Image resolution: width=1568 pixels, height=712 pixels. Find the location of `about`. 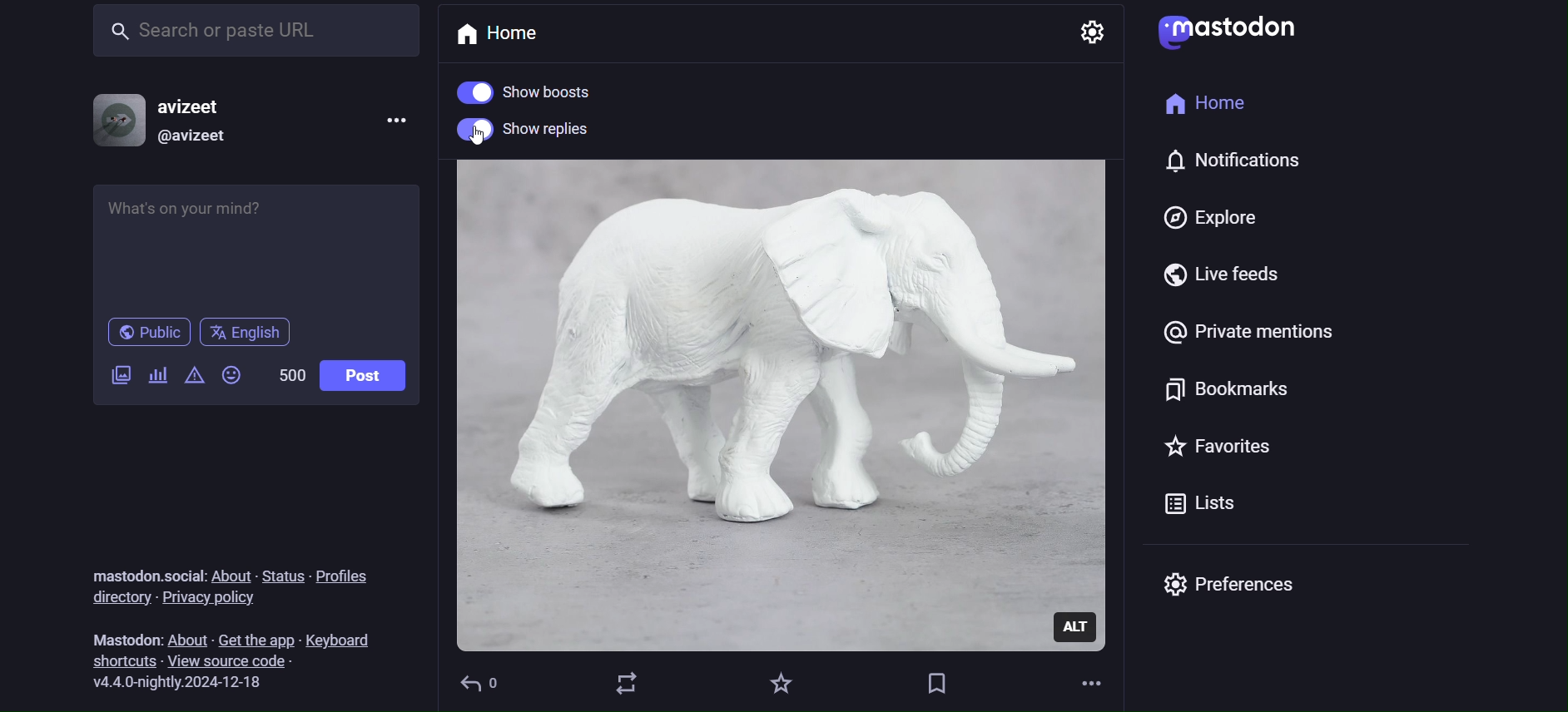

about is located at coordinates (230, 576).